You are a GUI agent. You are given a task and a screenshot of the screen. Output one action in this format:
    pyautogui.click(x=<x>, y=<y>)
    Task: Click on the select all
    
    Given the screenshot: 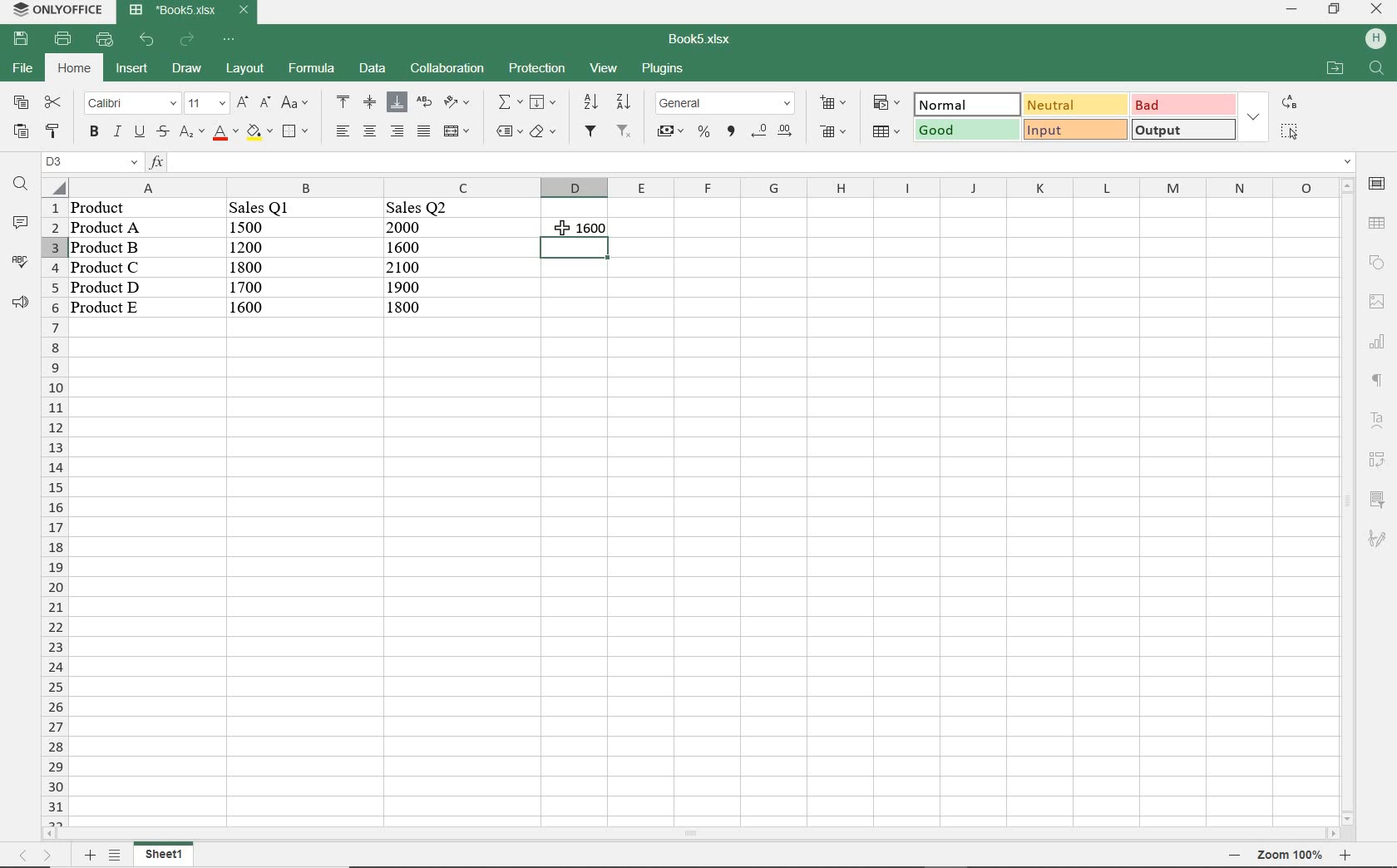 What is the action you would take?
    pyautogui.click(x=1290, y=133)
    